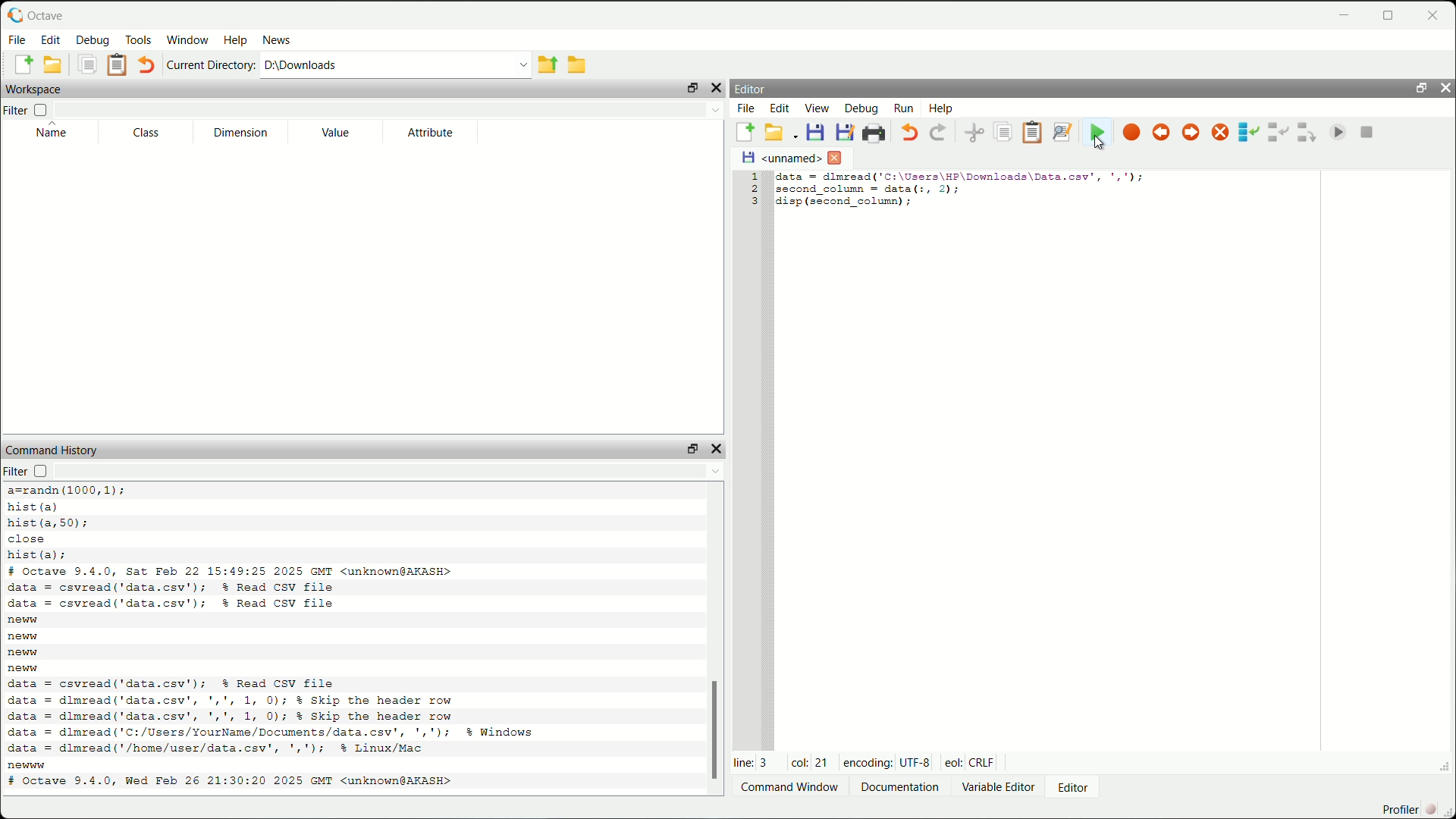  What do you see at coordinates (140, 39) in the screenshot?
I see `tools` at bounding box center [140, 39].